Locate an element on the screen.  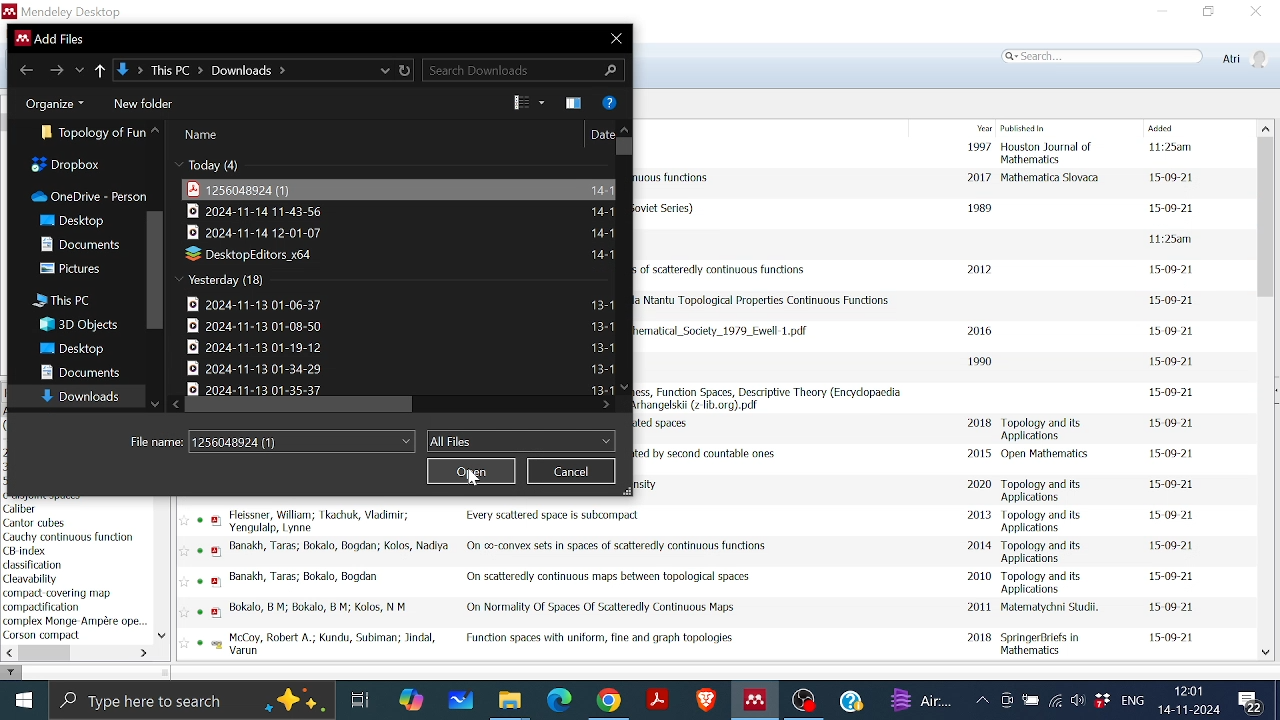
date is located at coordinates (1168, 518).